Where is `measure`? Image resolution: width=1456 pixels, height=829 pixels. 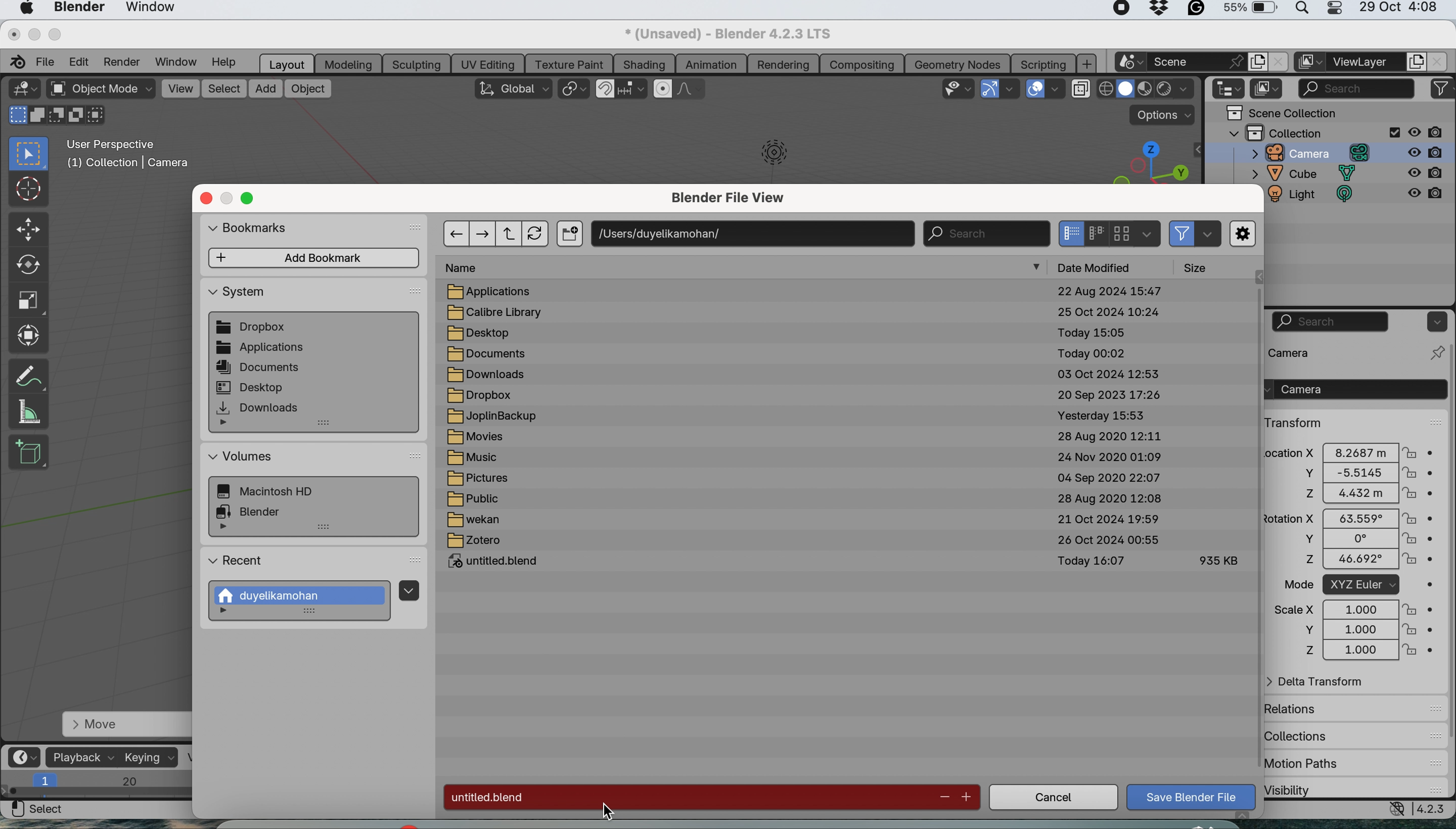
measure is located at coordinates (30, 412).